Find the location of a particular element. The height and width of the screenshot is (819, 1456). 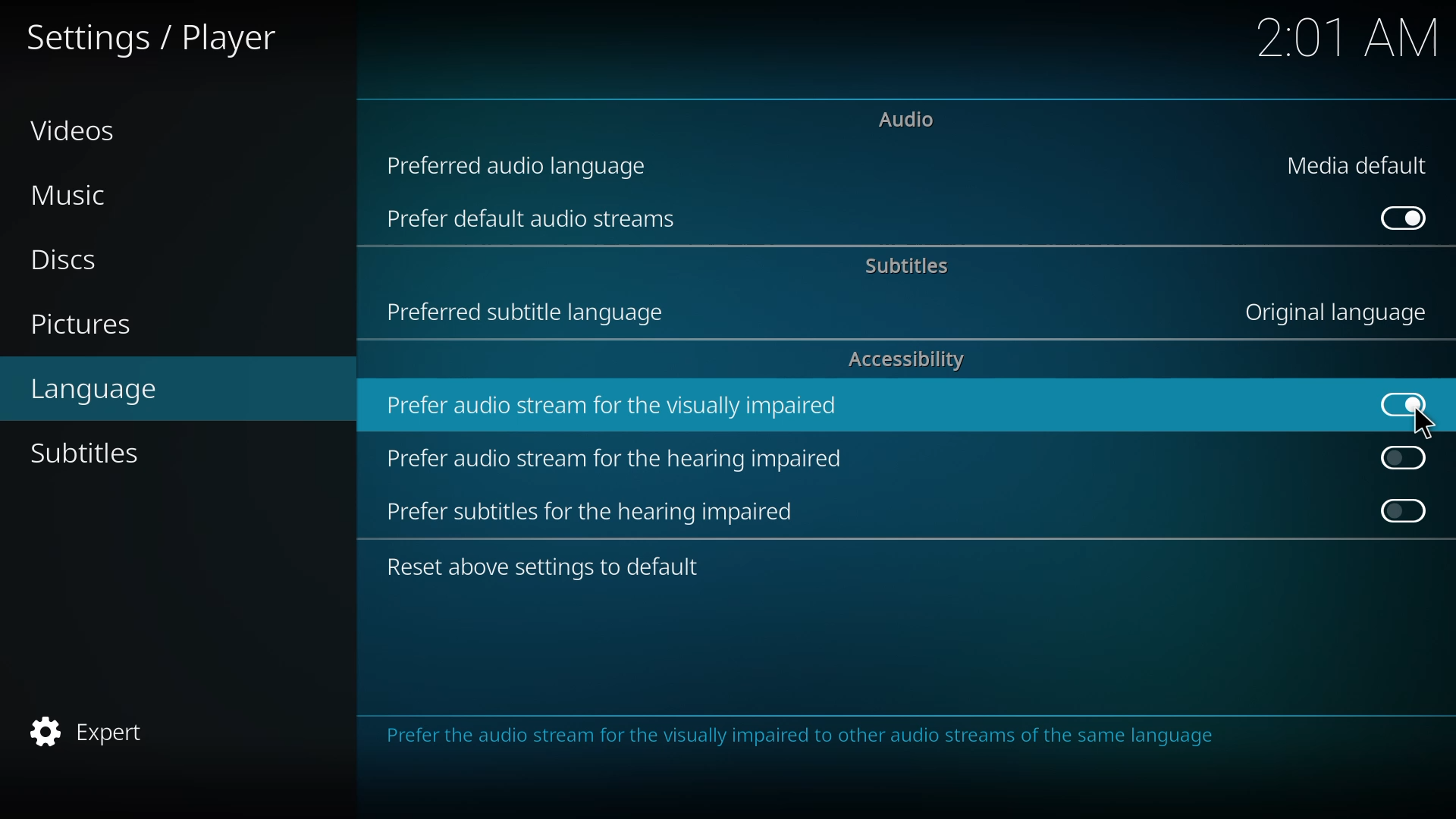

videos is located at coordinates (71, 129).